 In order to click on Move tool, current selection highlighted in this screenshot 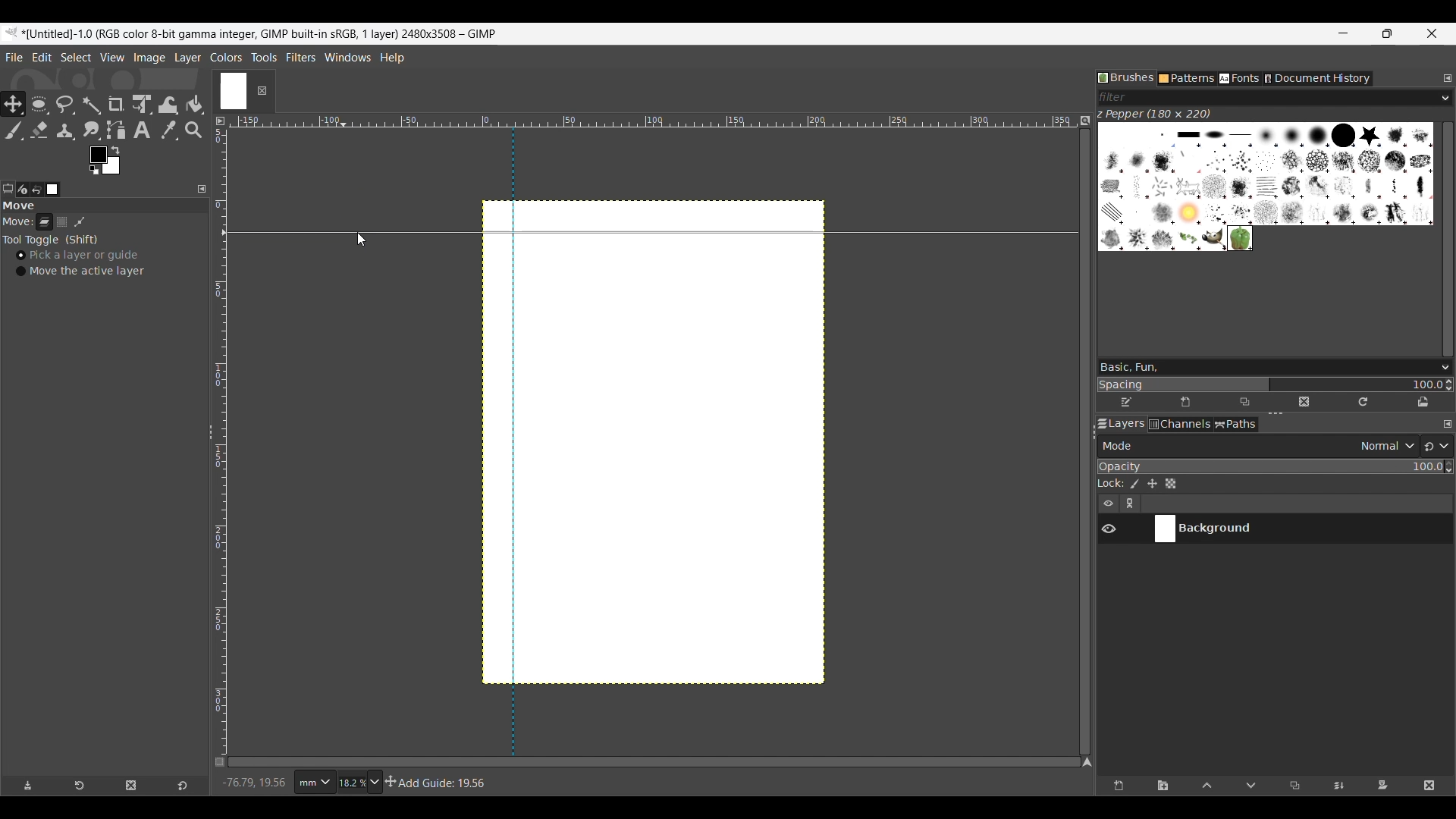, I will do `click(11, 102)`.